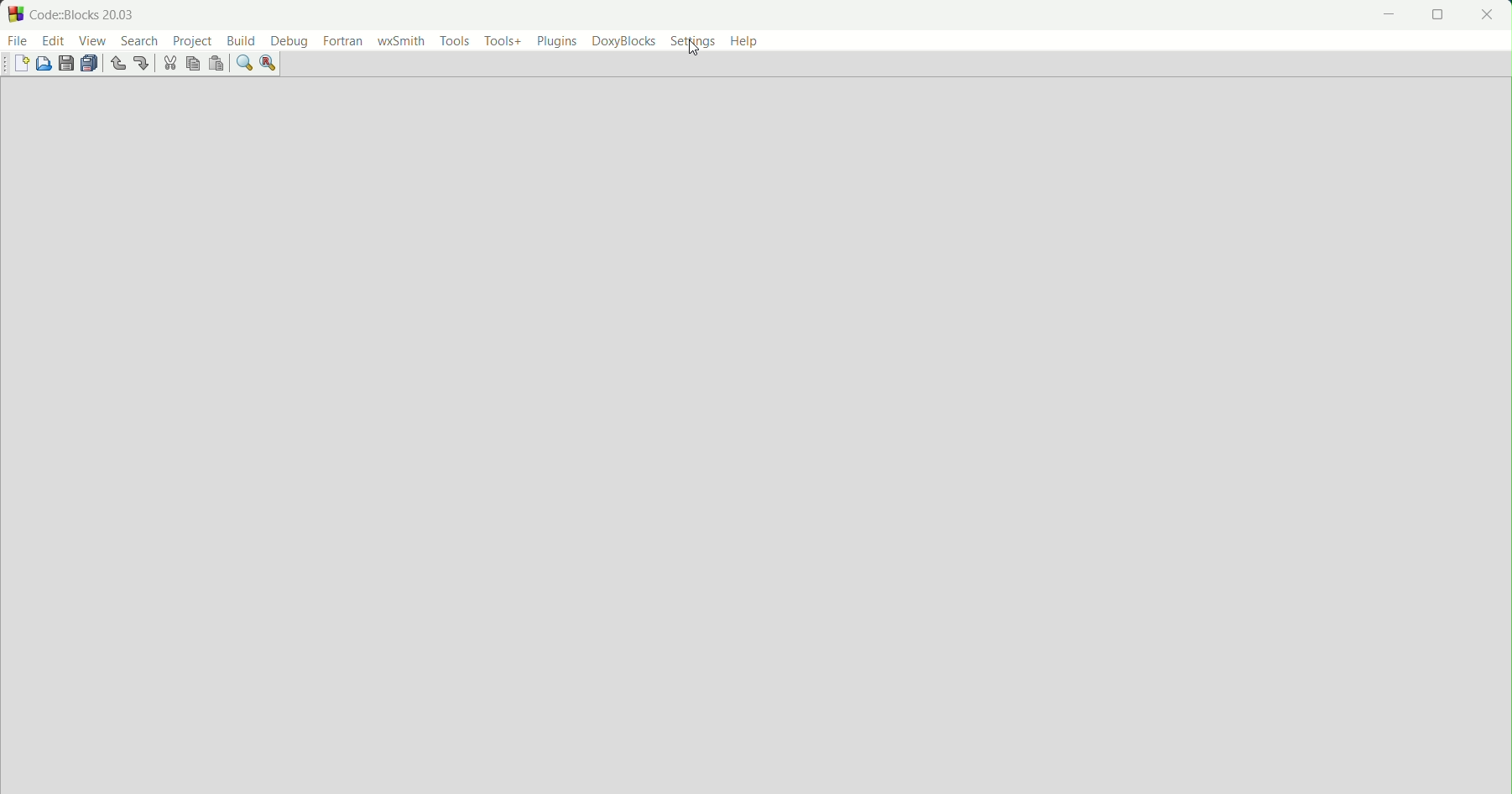 The width and height of the screenshot is (1512, 794). What do you see at coordinates (138, 41) in the screenshot?
I see `search` at bounding box center [138, 41].